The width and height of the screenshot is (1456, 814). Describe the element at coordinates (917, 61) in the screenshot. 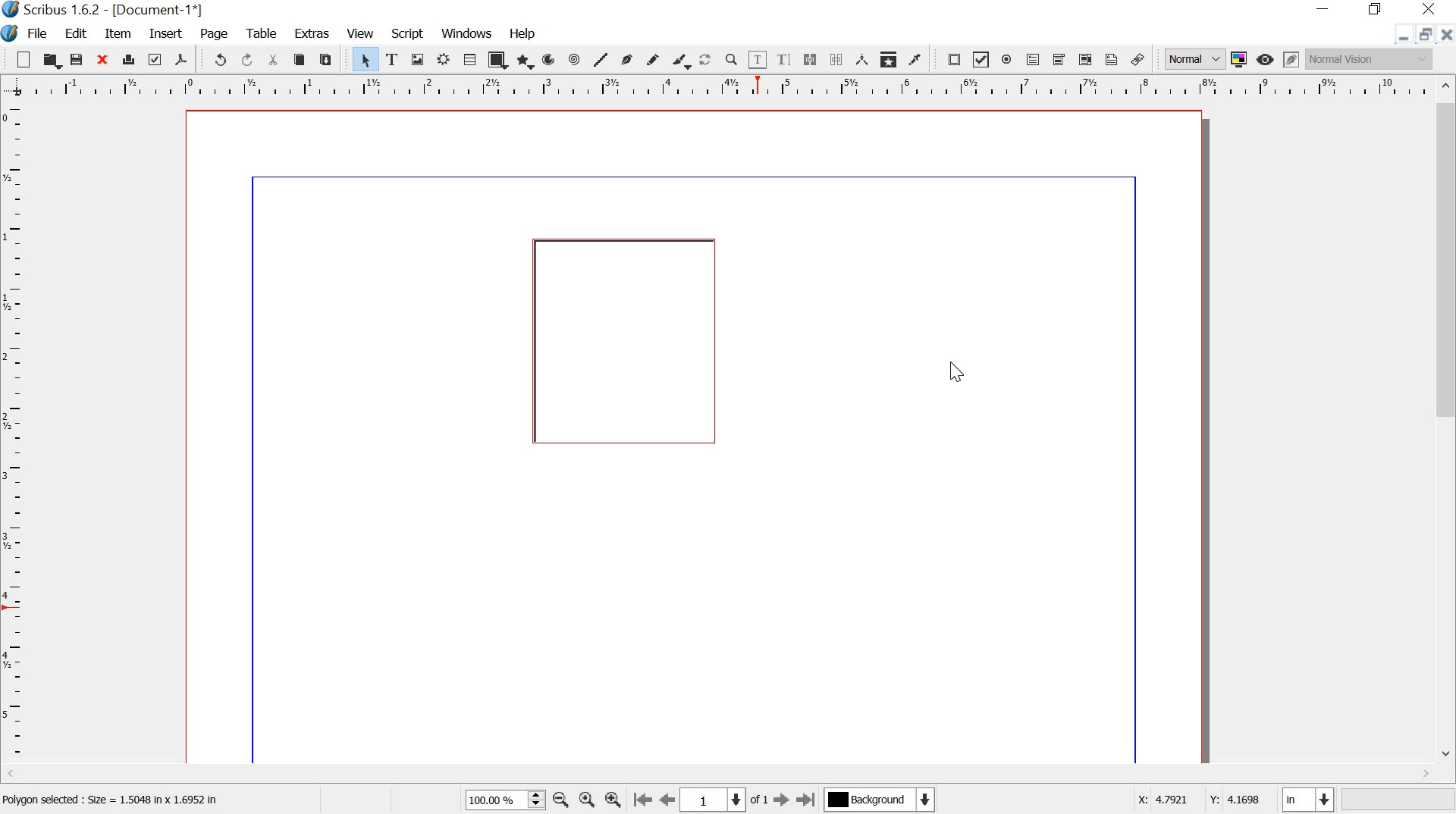

I see `eye dropper` at that location.